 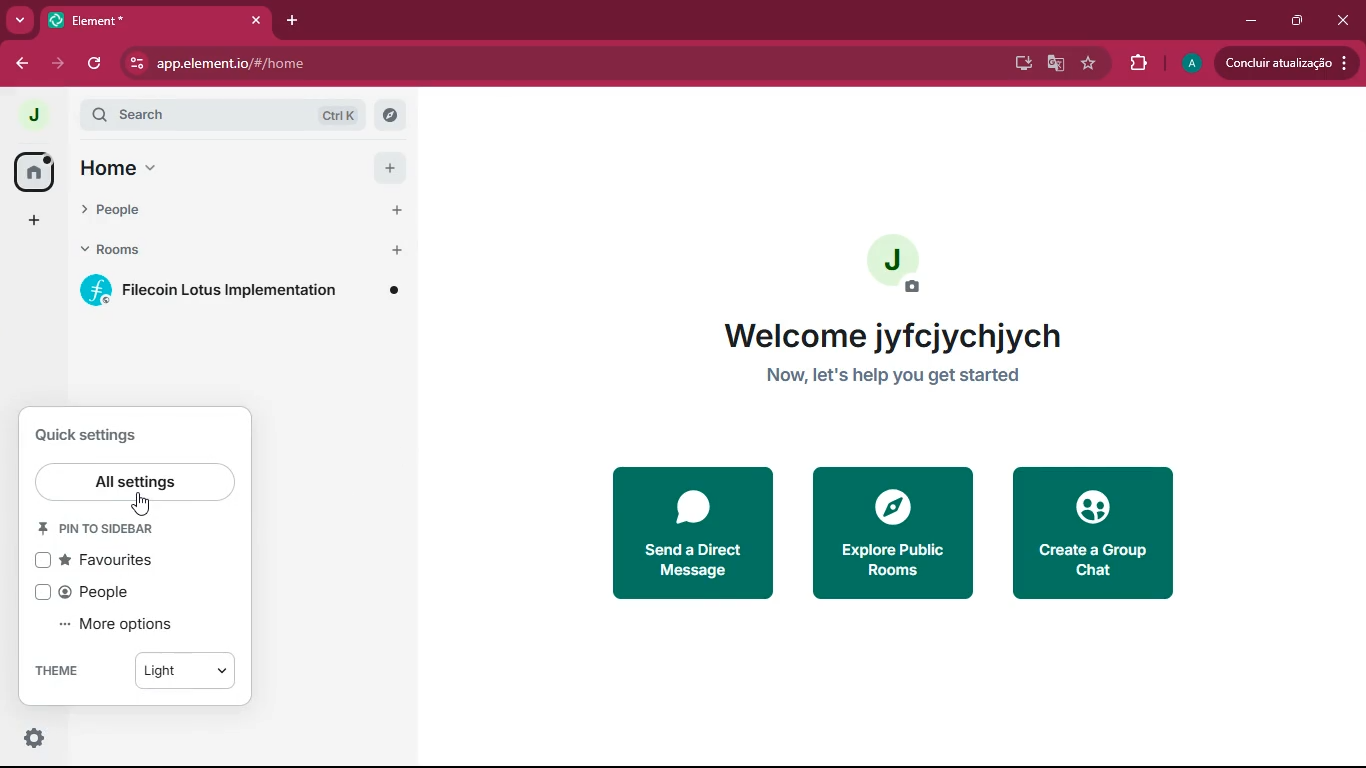 What do you see at coordinates (1022, 65) in the screenshot?
I see `desktop` at bounding box center [1022, 65].